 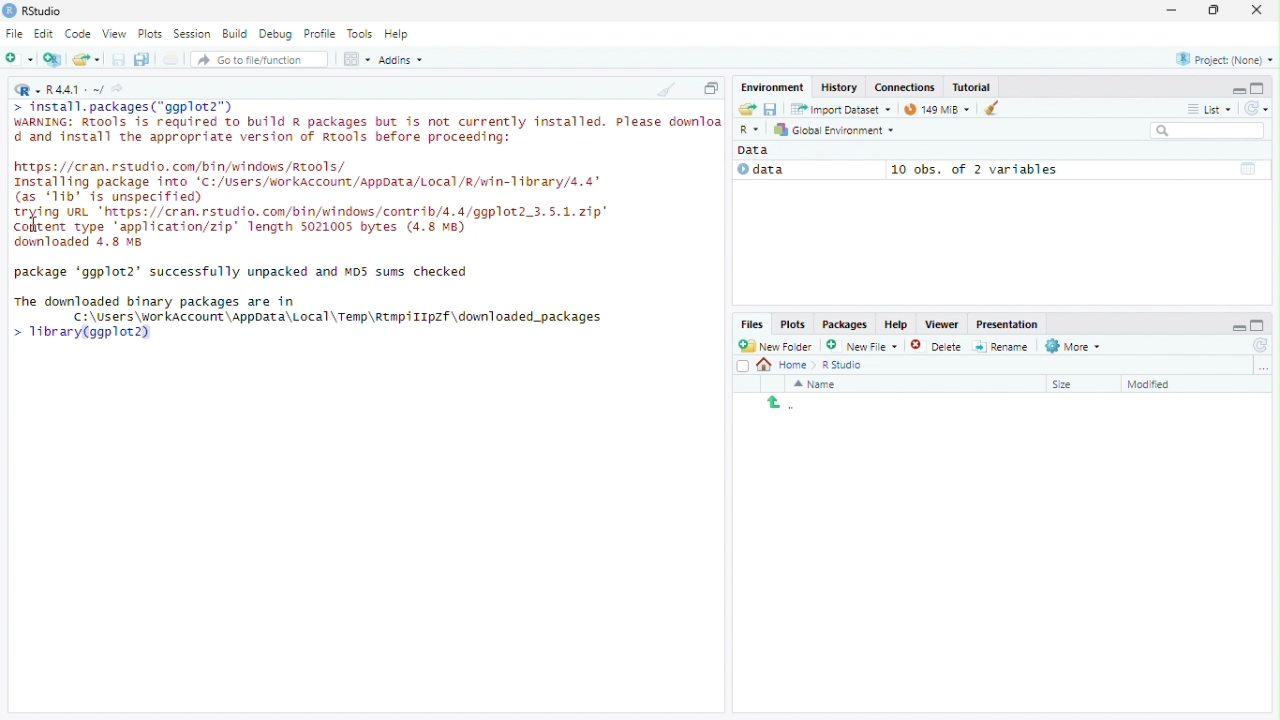 I want to click on Current memory usage - 97MiB, so click(x=932, y=109).